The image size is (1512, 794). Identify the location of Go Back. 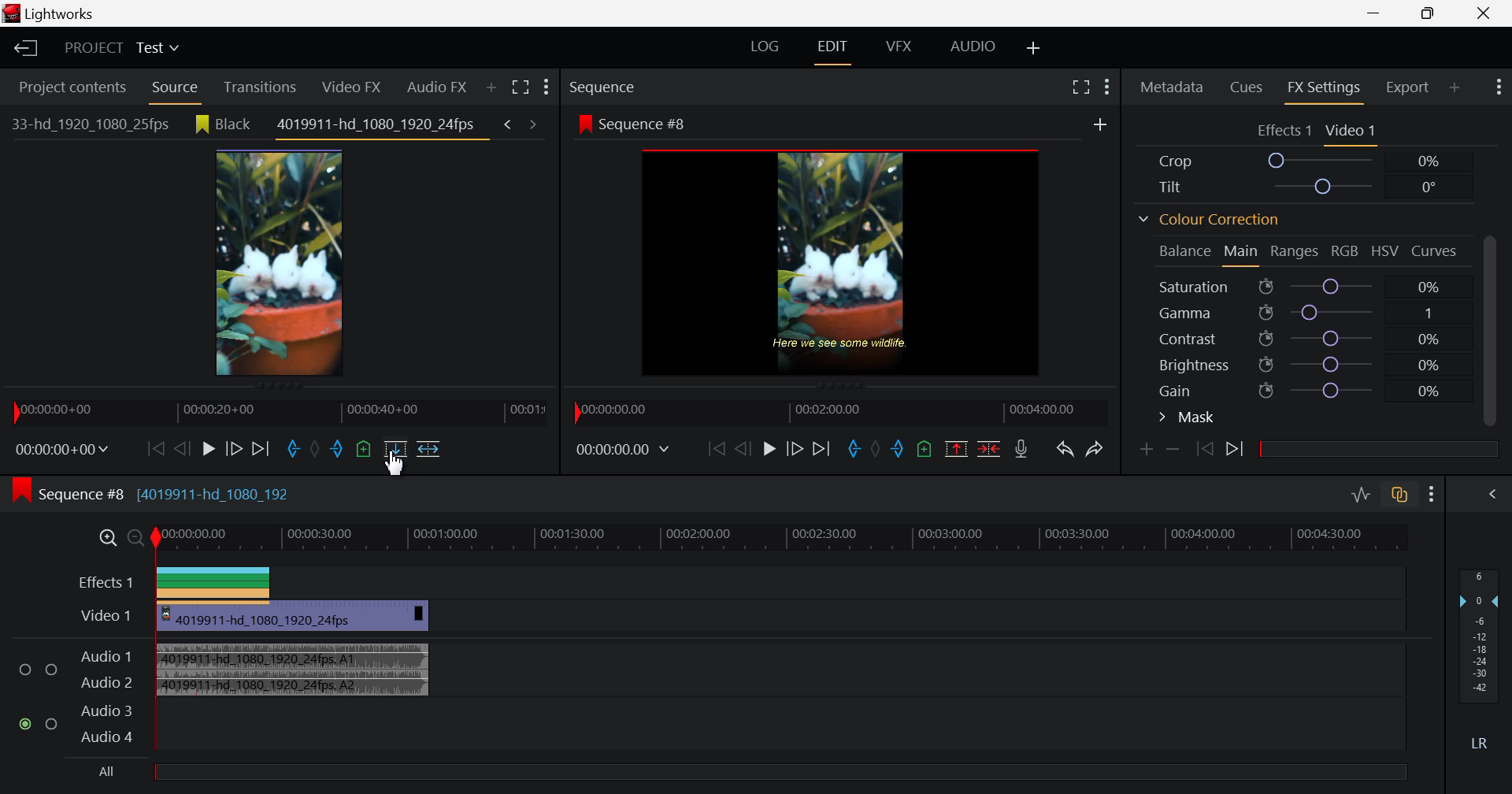
(180, 449).